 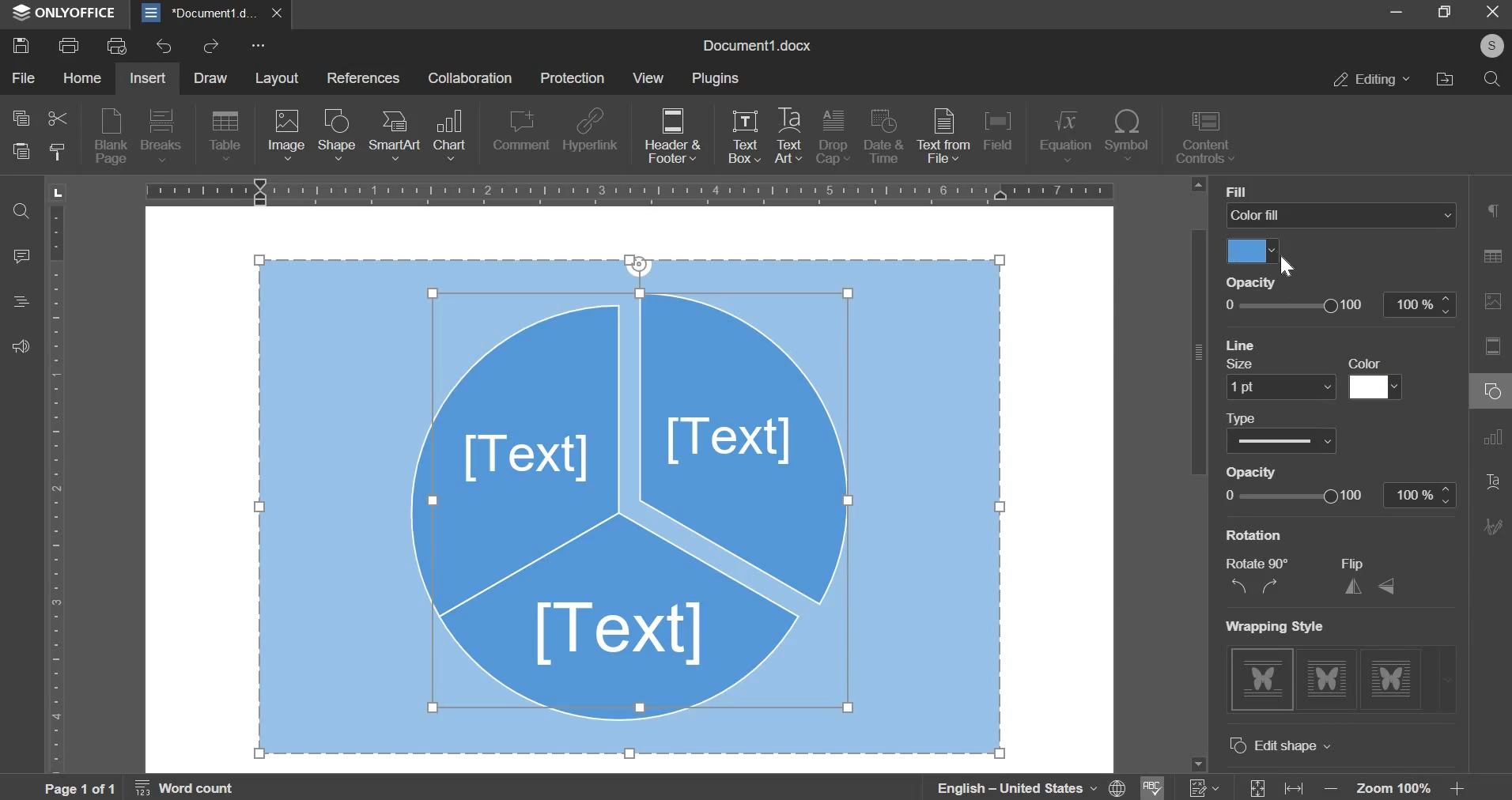 I want to click on vertical slider, so click(x=1199, y=477).